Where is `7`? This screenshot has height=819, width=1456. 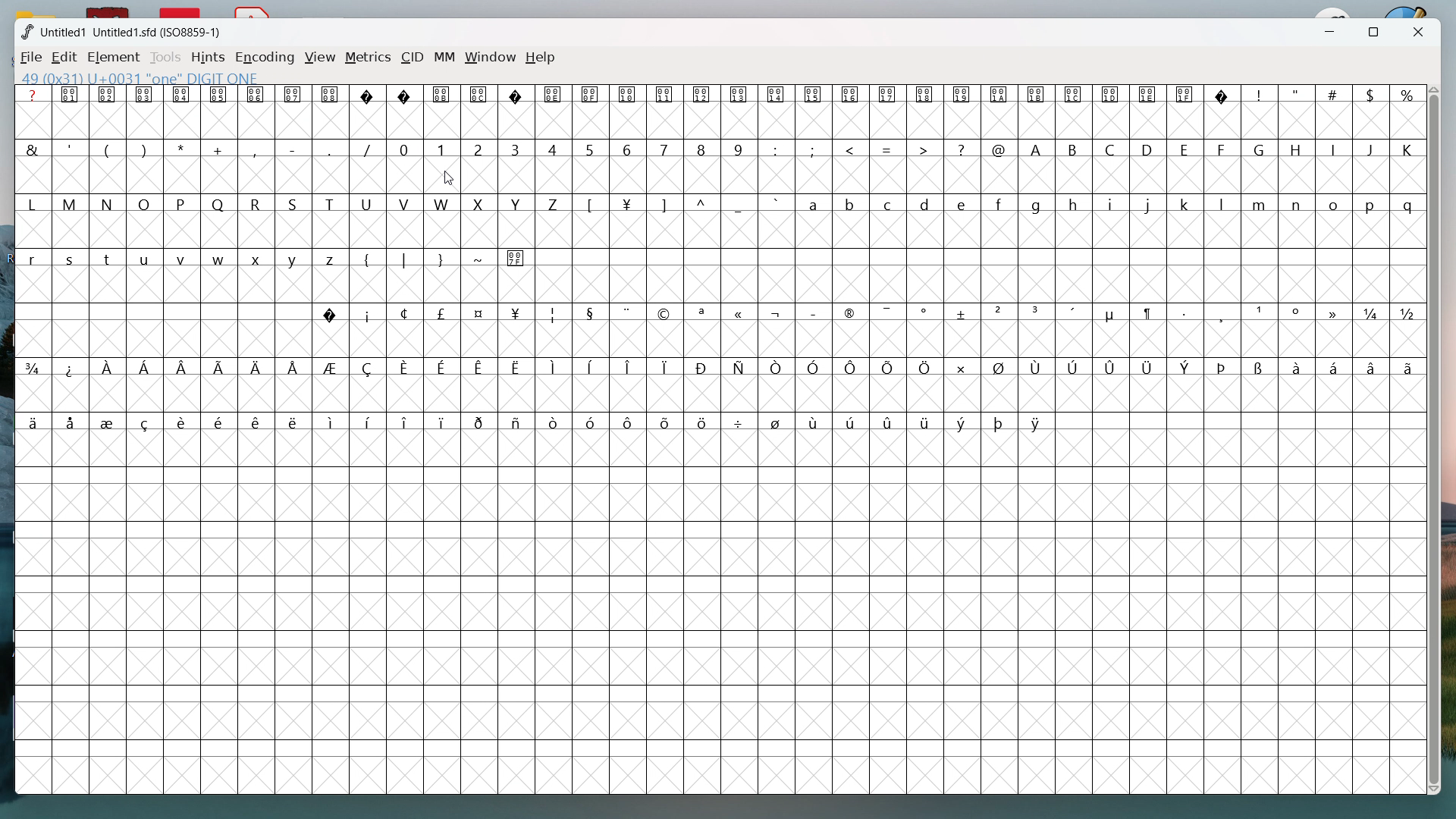 7 is located at coordinates (666, 149).